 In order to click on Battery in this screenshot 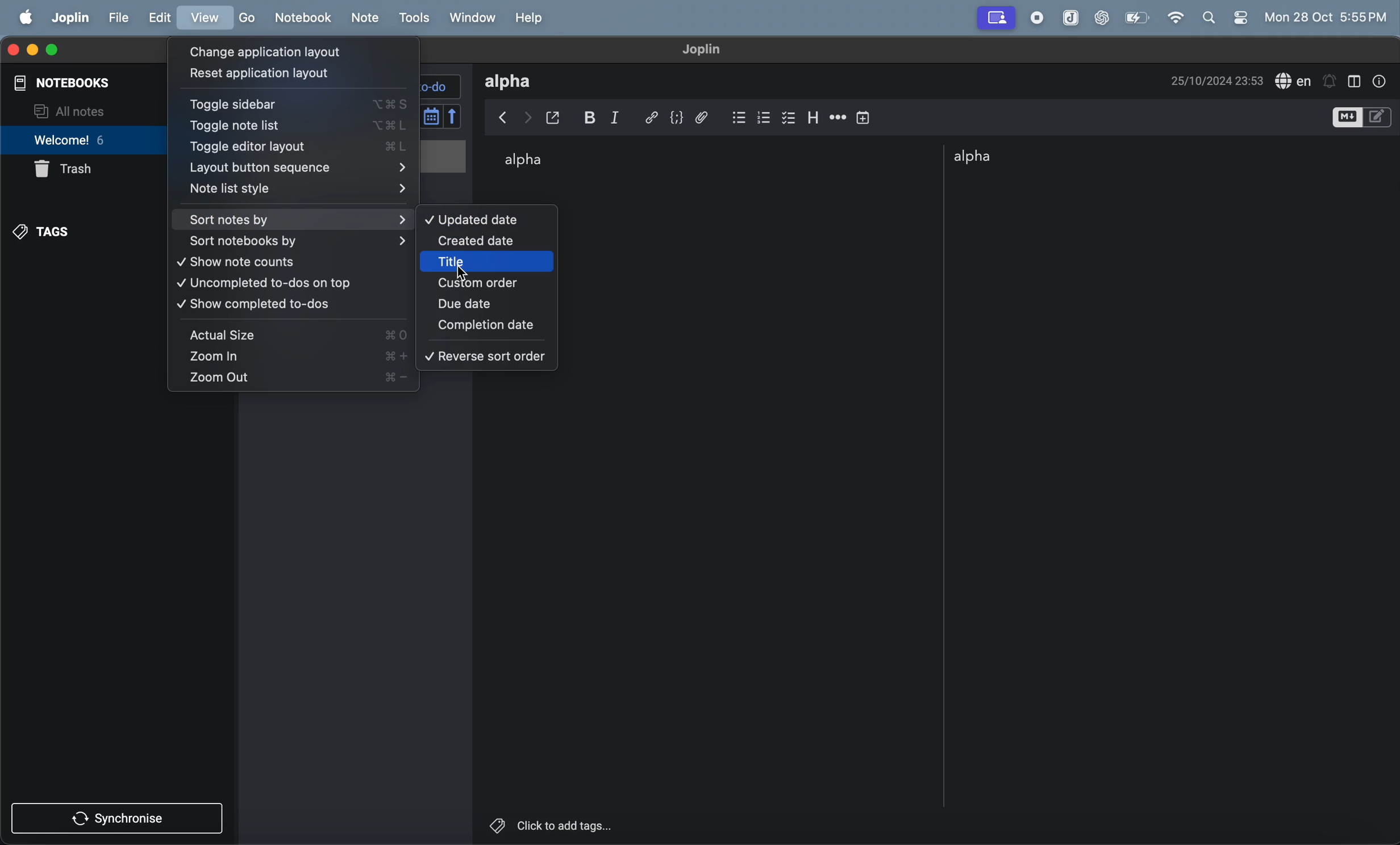, I will do `click(1137, 17)`.